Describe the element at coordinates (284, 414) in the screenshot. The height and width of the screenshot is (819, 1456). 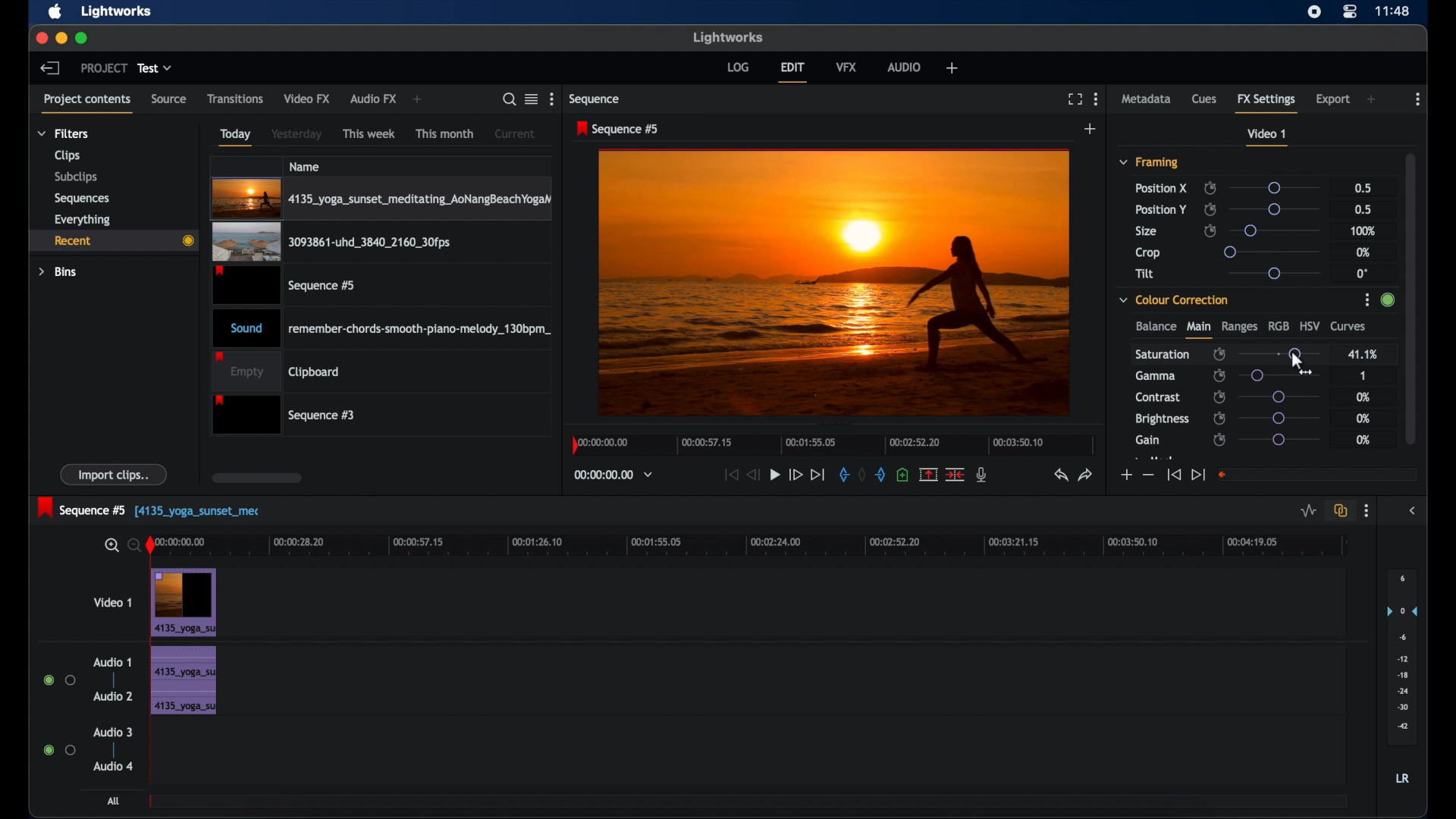
I see `sequence 3` at that location.